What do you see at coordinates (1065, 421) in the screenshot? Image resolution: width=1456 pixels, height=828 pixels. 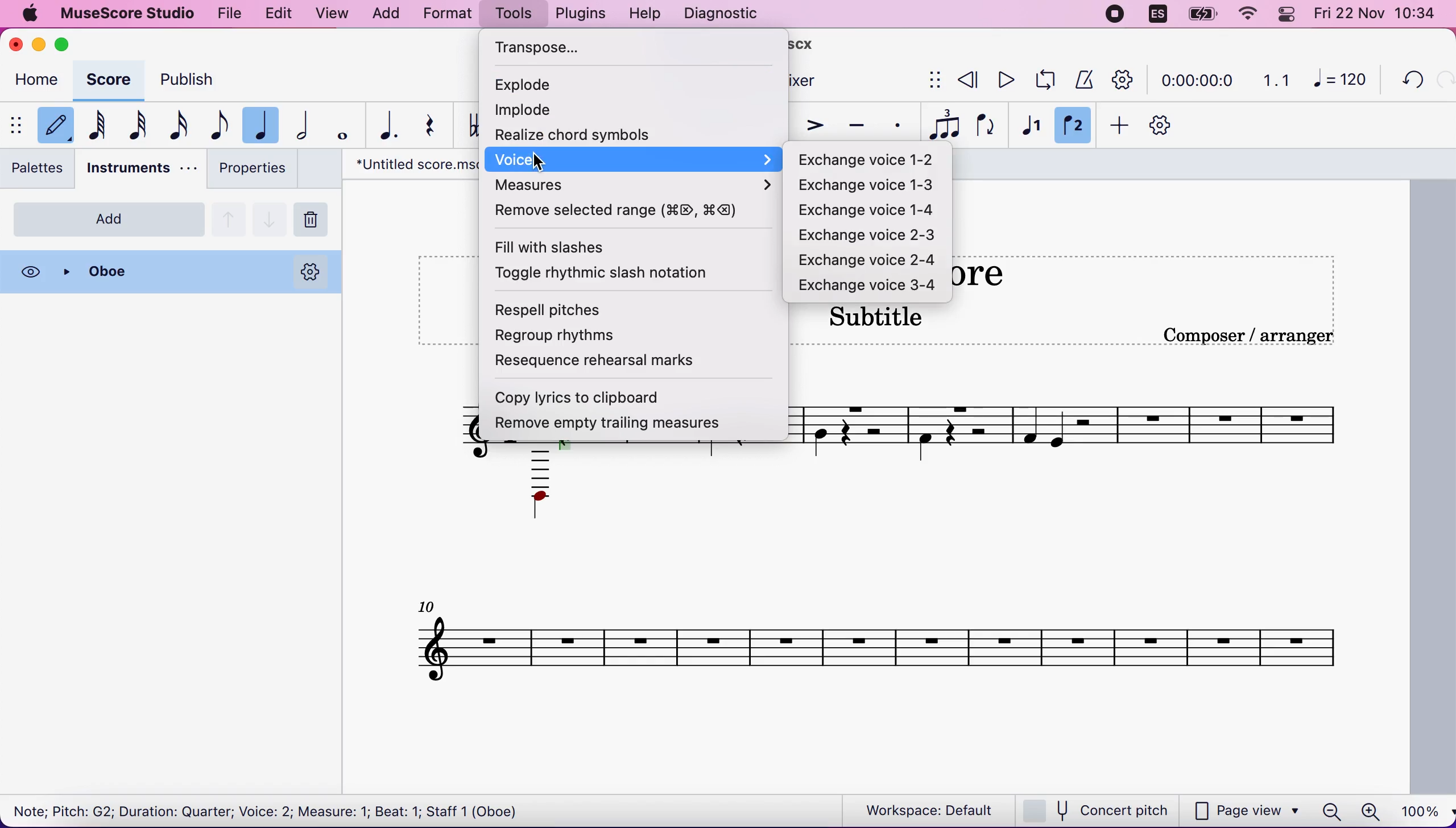 I see `composer` at bounding box center [1065, 421].